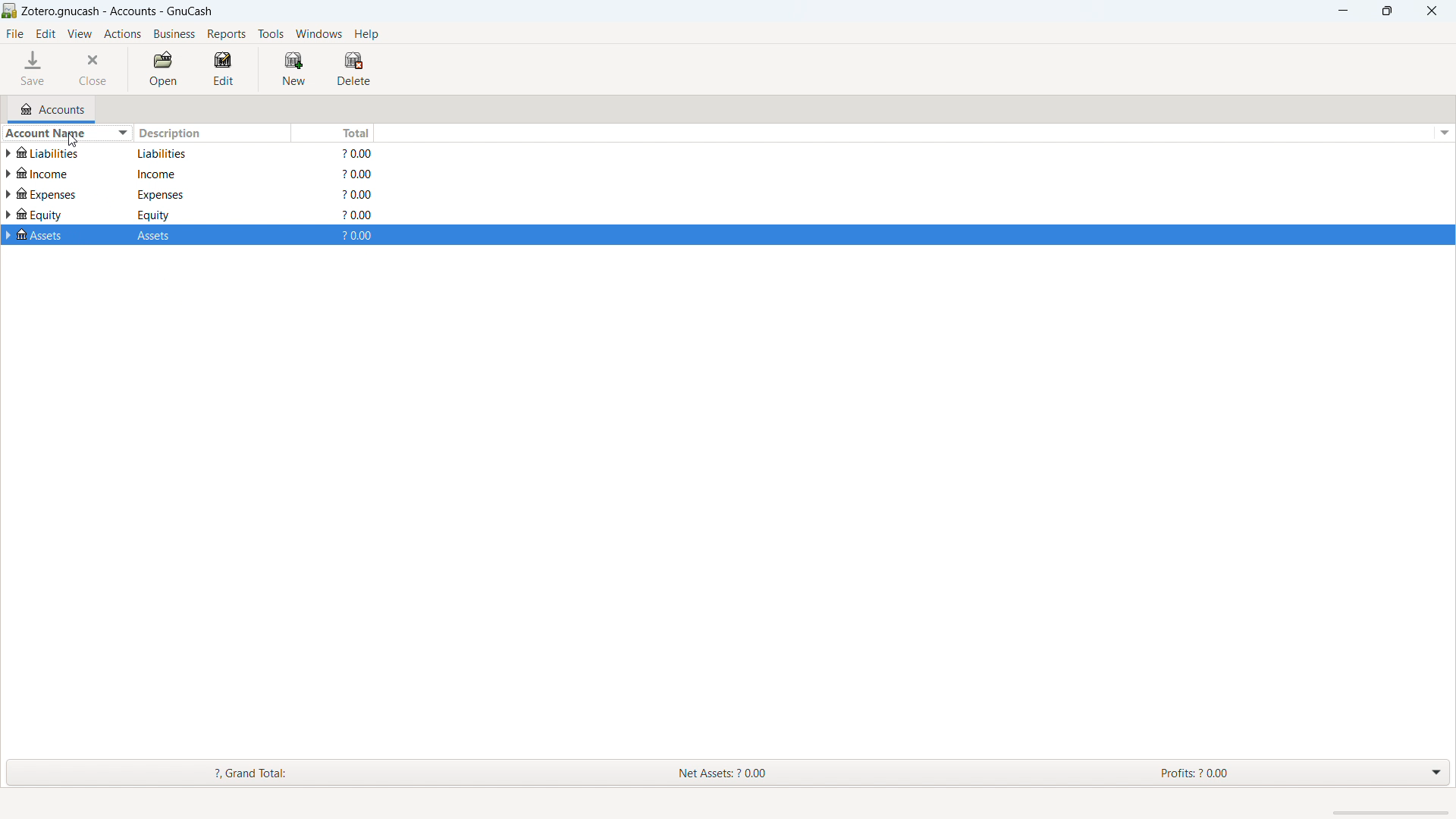  Describe the element at coordinates (367, 34) in the screenshot. I see `help` at that location.